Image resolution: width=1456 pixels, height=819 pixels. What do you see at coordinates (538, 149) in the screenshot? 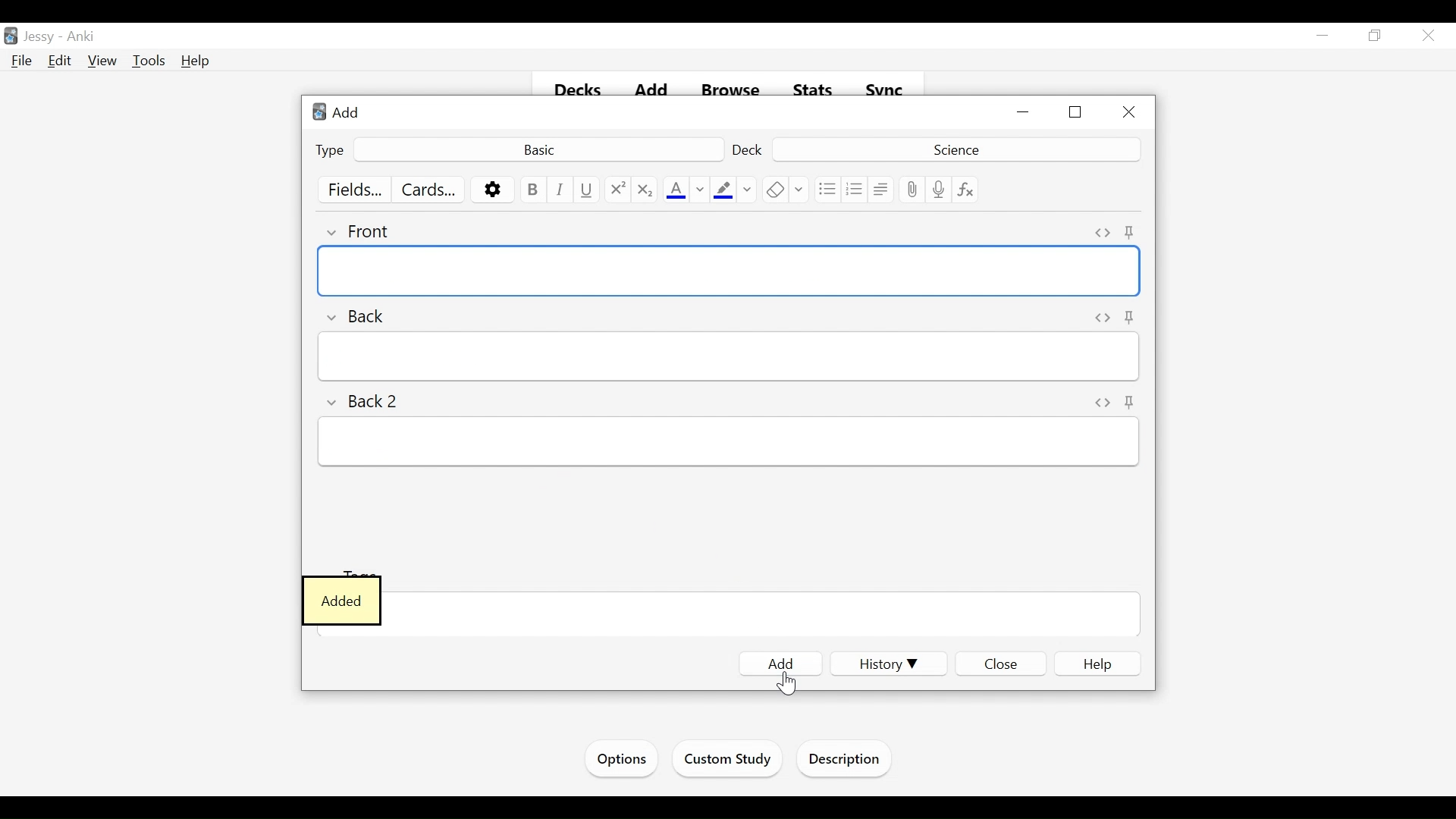
I see `Basic` at bounding box center [538, 149].